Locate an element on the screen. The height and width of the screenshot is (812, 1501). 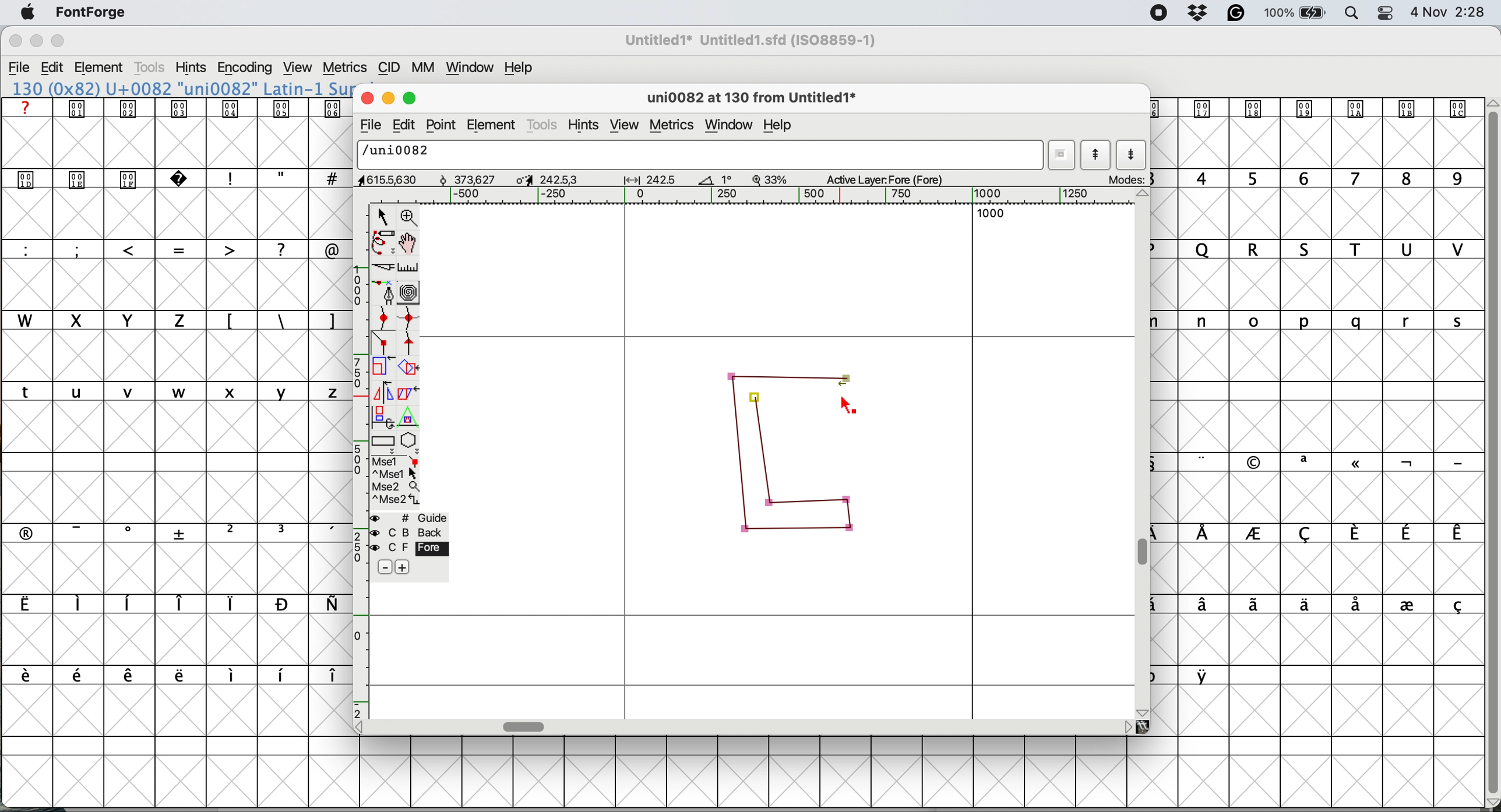
corner points connected is located at coordinates (741, 454).